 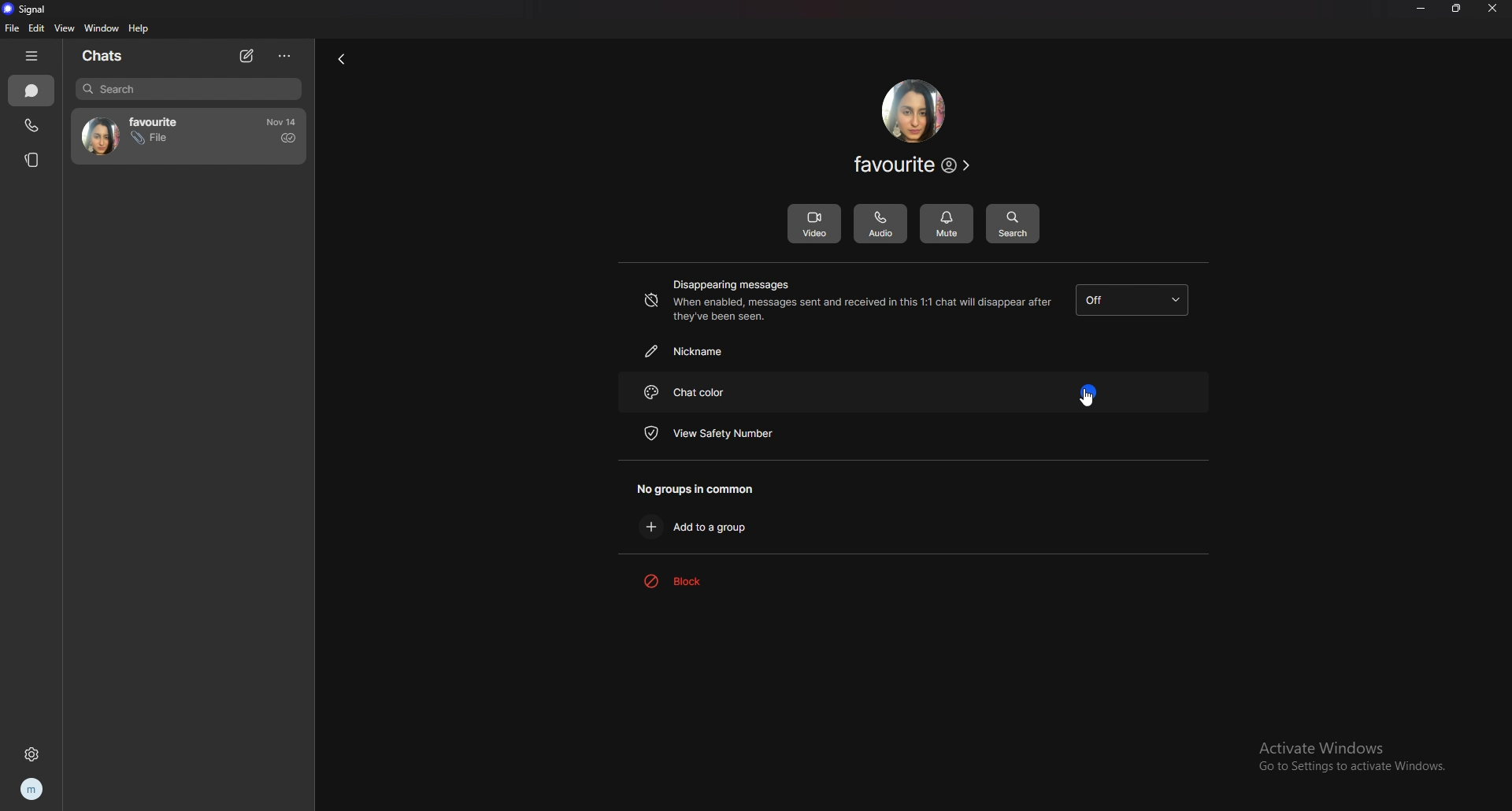 What do you see at coordinates (102, 28) in the screenshot?
I see `window` at bounding box center [102, 28].